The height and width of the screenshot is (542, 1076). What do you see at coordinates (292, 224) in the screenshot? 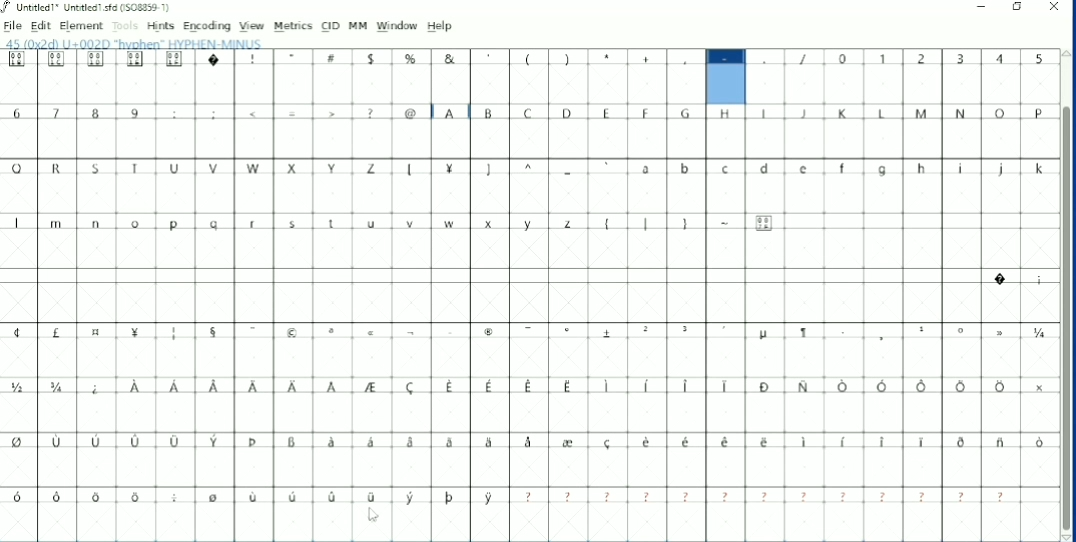
I see `Small letters` at bounding box center [292, 224].